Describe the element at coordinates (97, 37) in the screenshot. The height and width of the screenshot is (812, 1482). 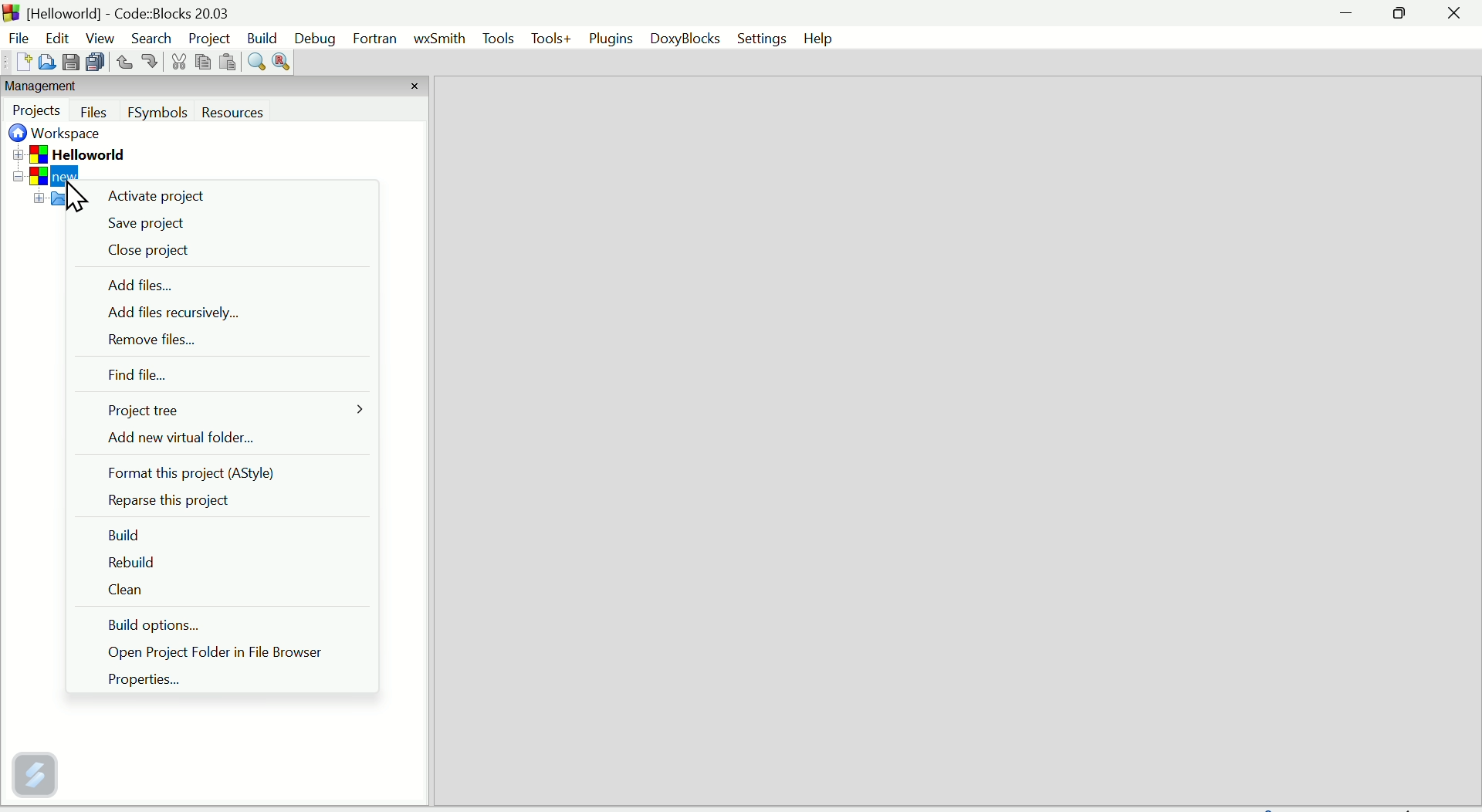
I see `View` at that location.